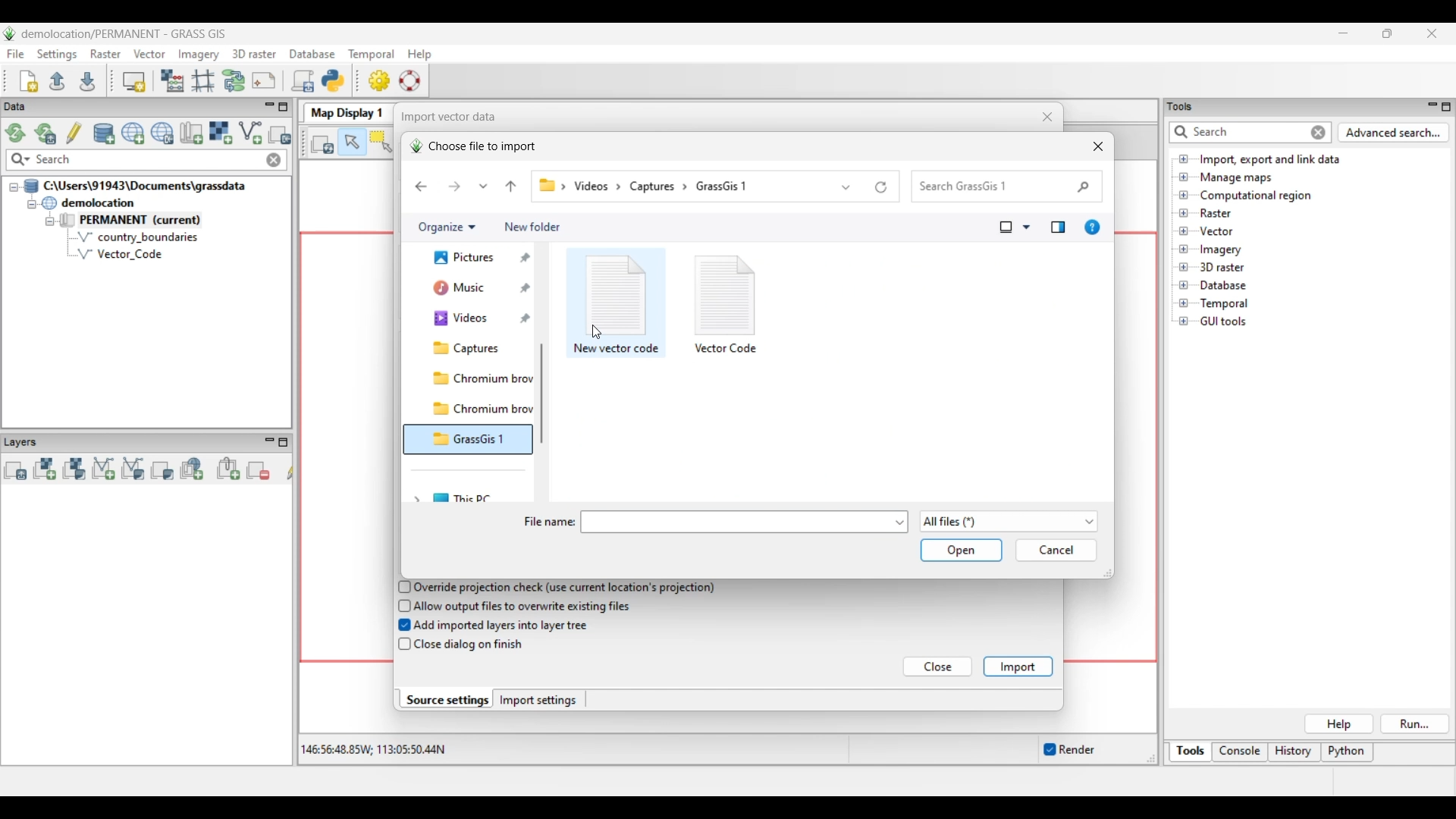 This screenshot has width=1456, height=819. What do you see at coordinates (1387, 33) in the screenshot?
I see `Show interface in a smaller tab` at bounding box center [1387, 33].